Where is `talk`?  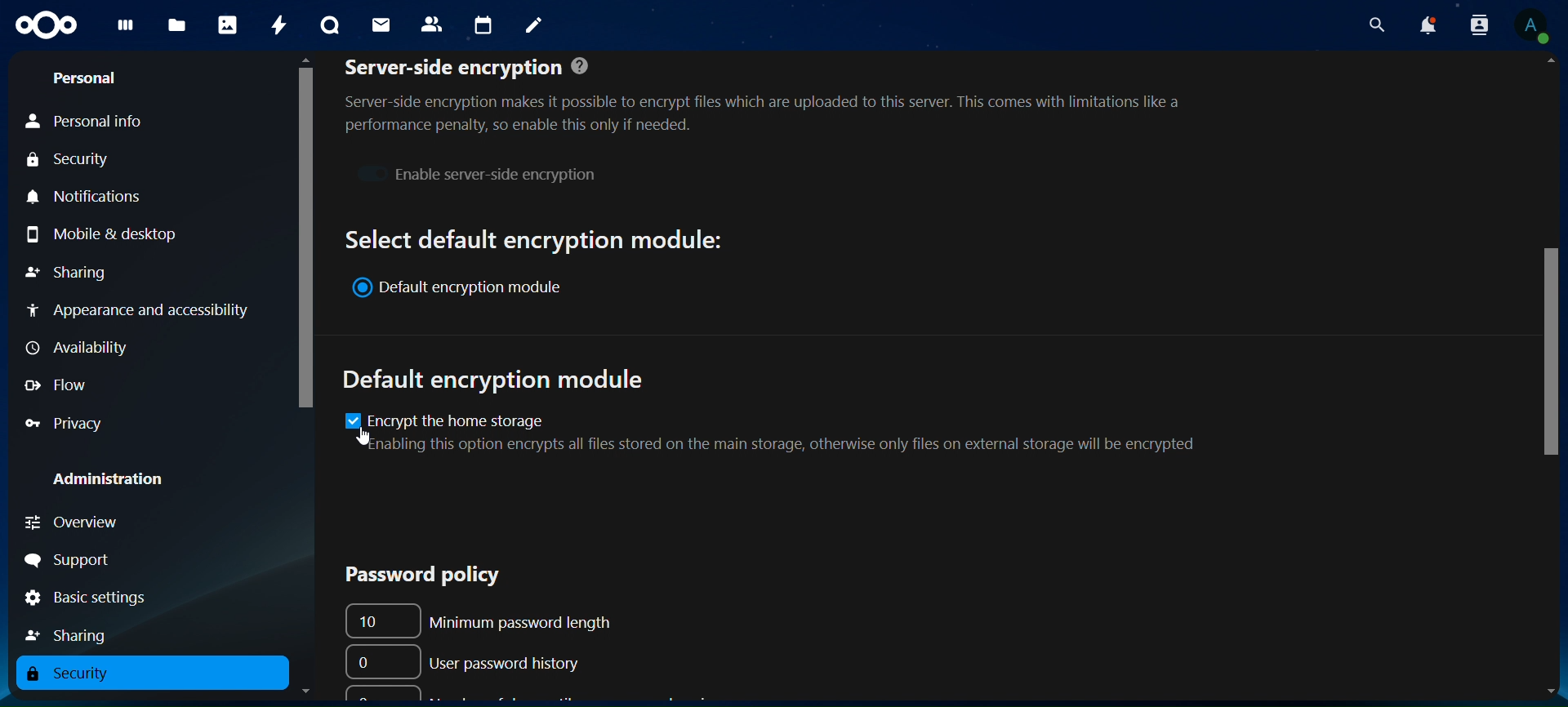
talk is located at coordinates (327, 26).